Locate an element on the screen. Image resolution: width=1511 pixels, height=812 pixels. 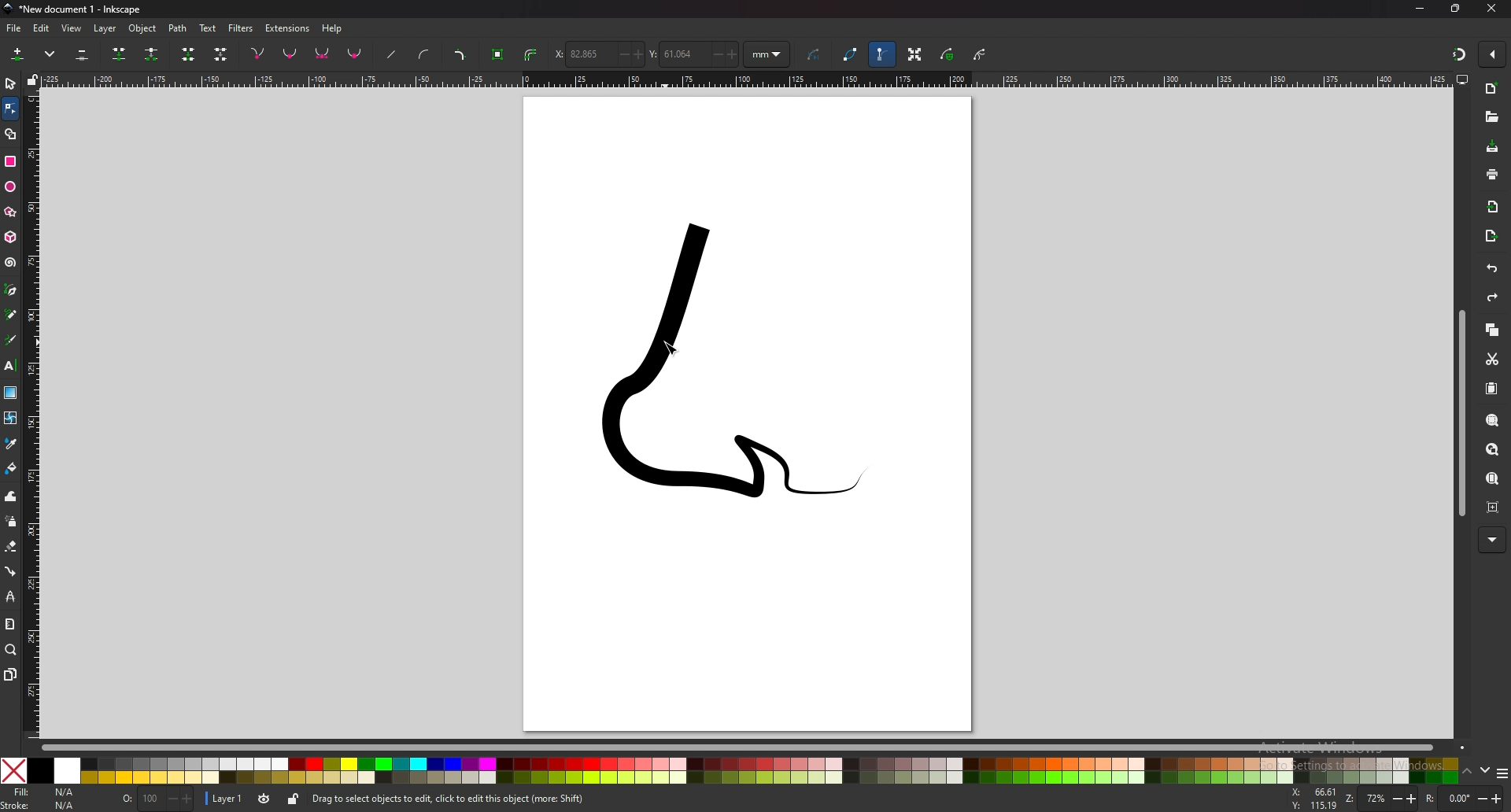
smooth is located at coordinates (290, 55).